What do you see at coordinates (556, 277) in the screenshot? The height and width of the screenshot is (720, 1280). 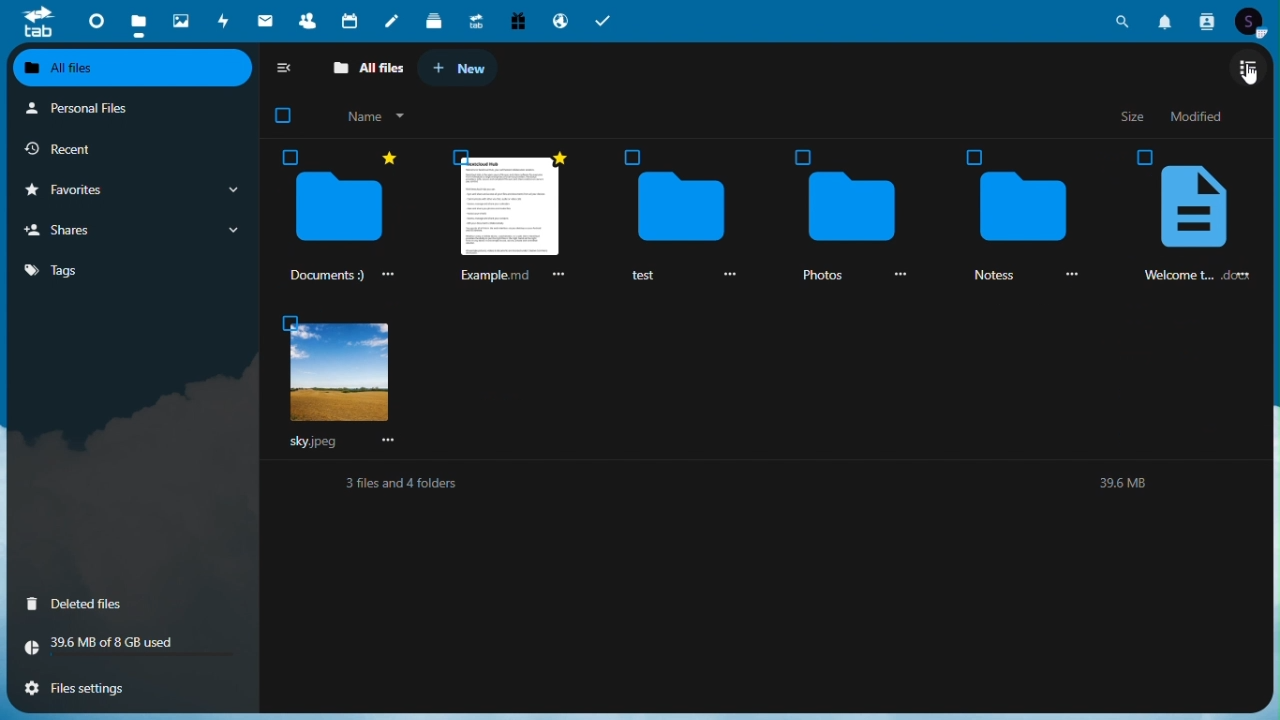 I see `more options` at bounding box center [556, 277].